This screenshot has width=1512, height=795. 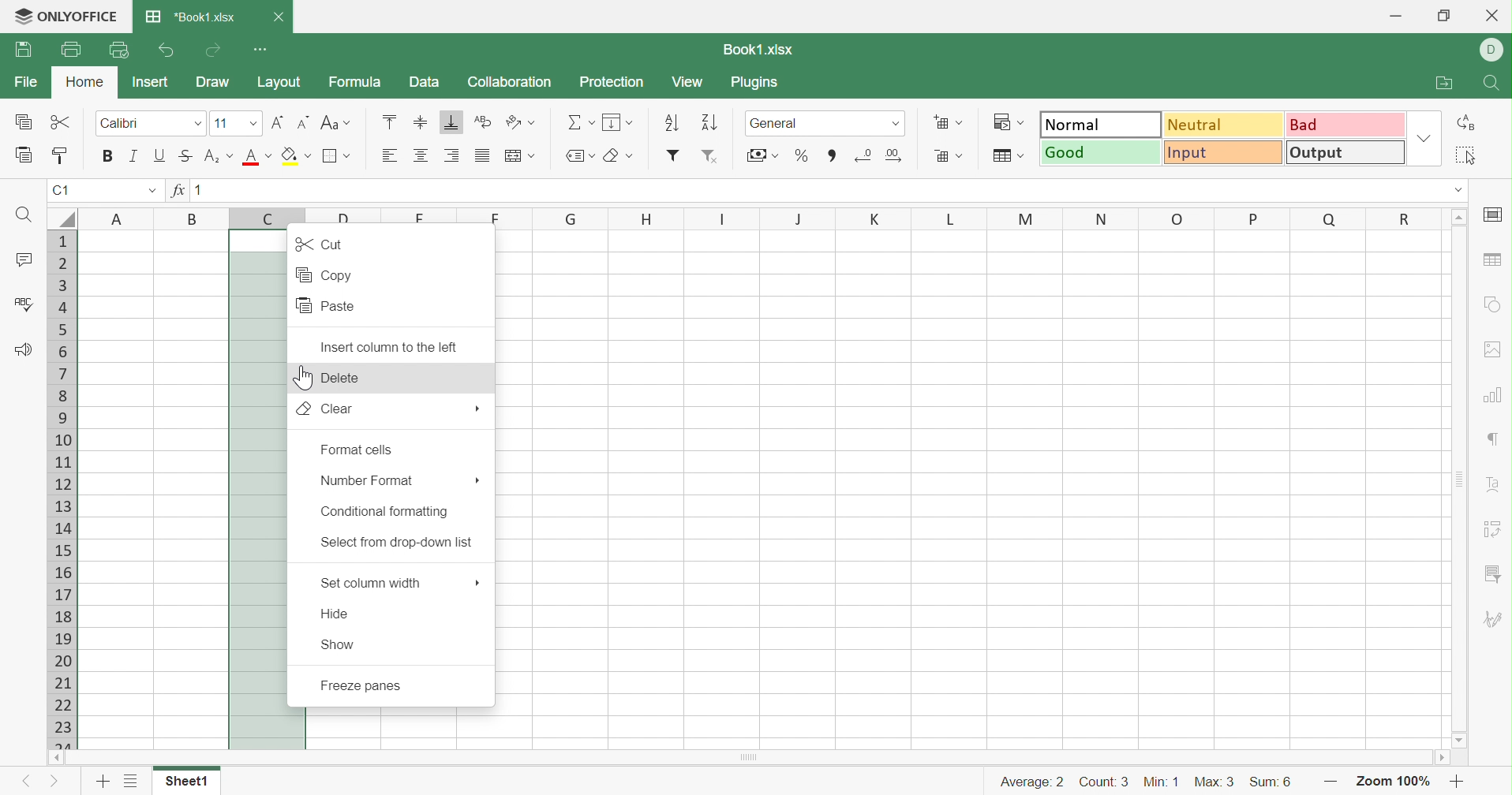 I want to click on Underline, so click(x=159, y=156).